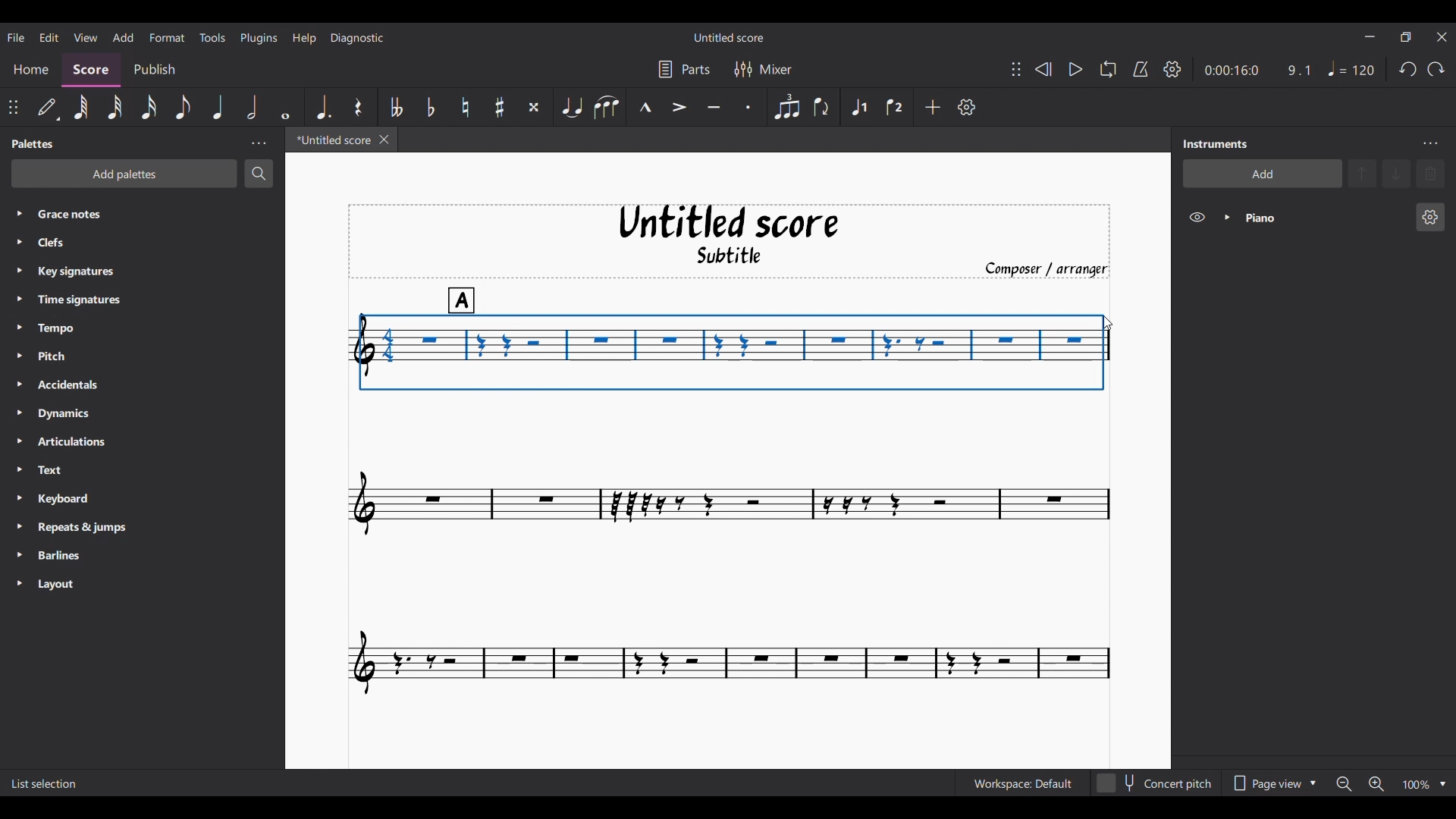  Describe the element at coordinates (47, 106) in the screenshot. I see `Default` at that location.